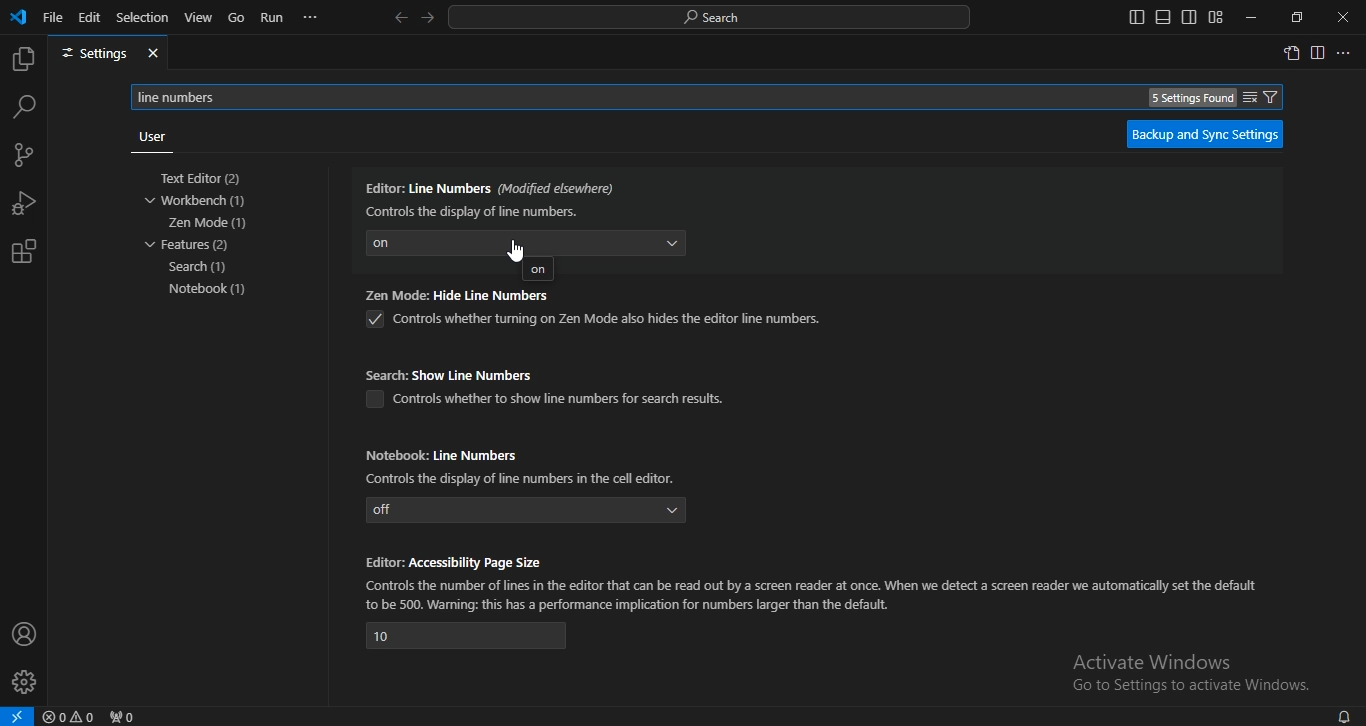 This screenshot has height=726, width=1366. I want to click on ..., so click(1345, 54).